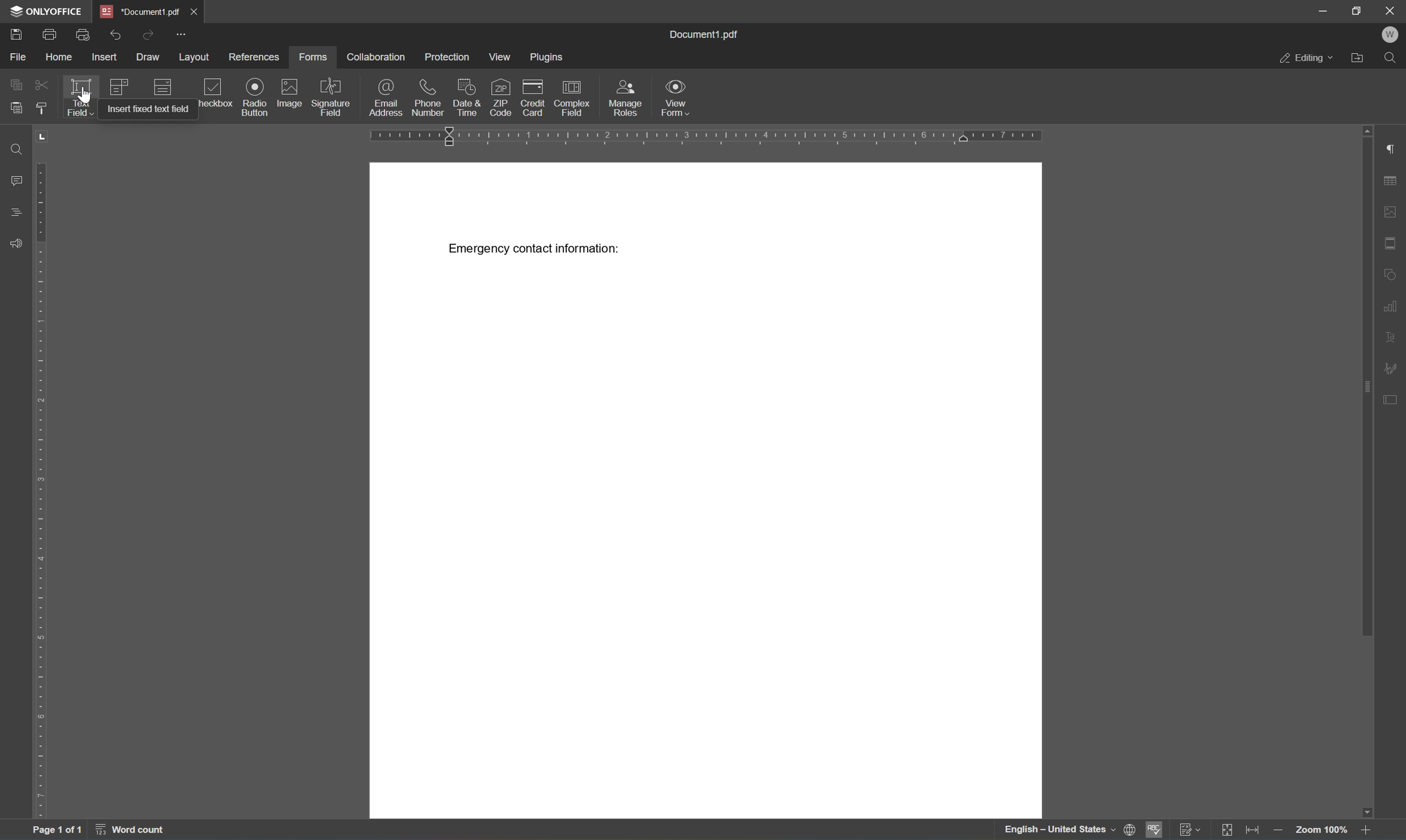  Describe the element at coordinates (329, 97) in the screenshot. I see `signature field` at that location.